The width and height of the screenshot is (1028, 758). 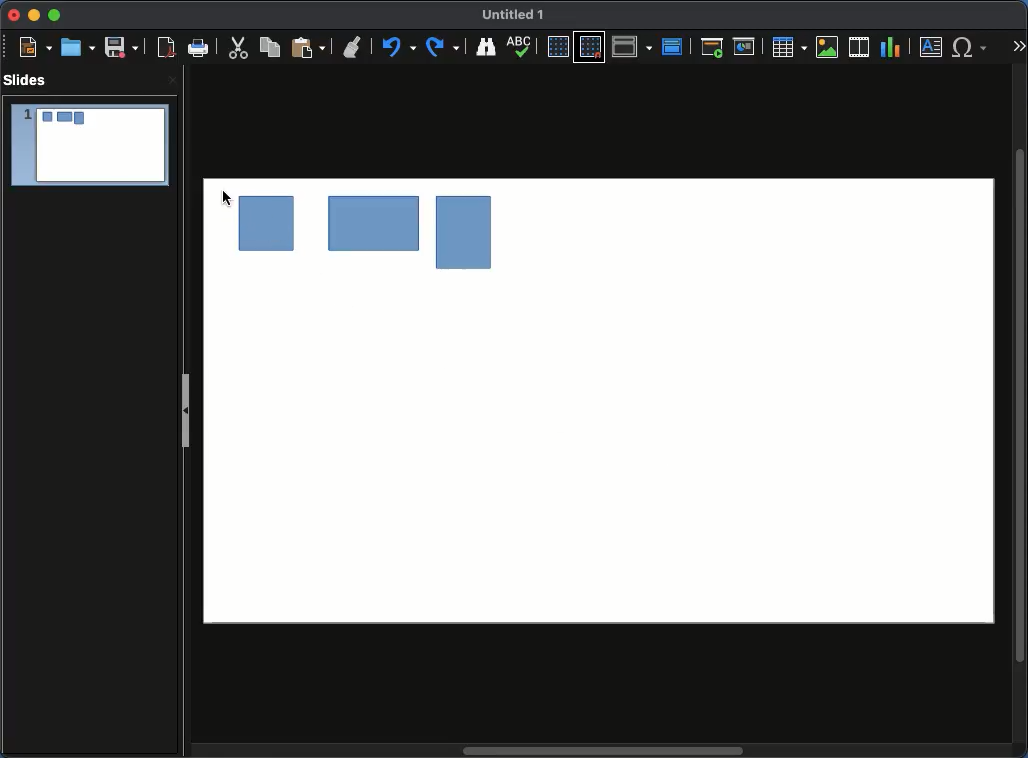 What do you see at coordinates (187, 405) in the screenshot?
I see `Slide panel` at bounding box center [187, 405].